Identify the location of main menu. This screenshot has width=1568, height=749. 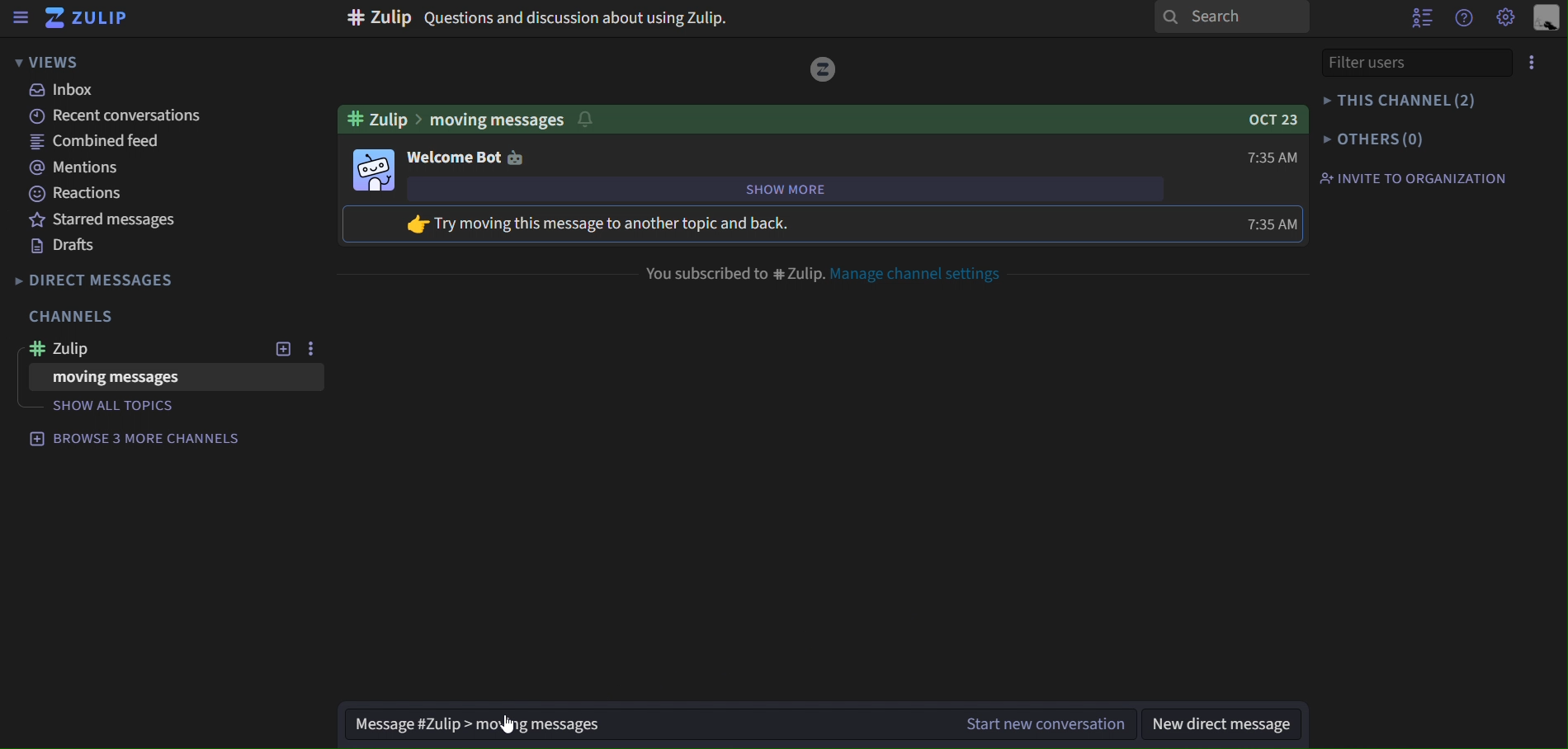
(1507, 18).